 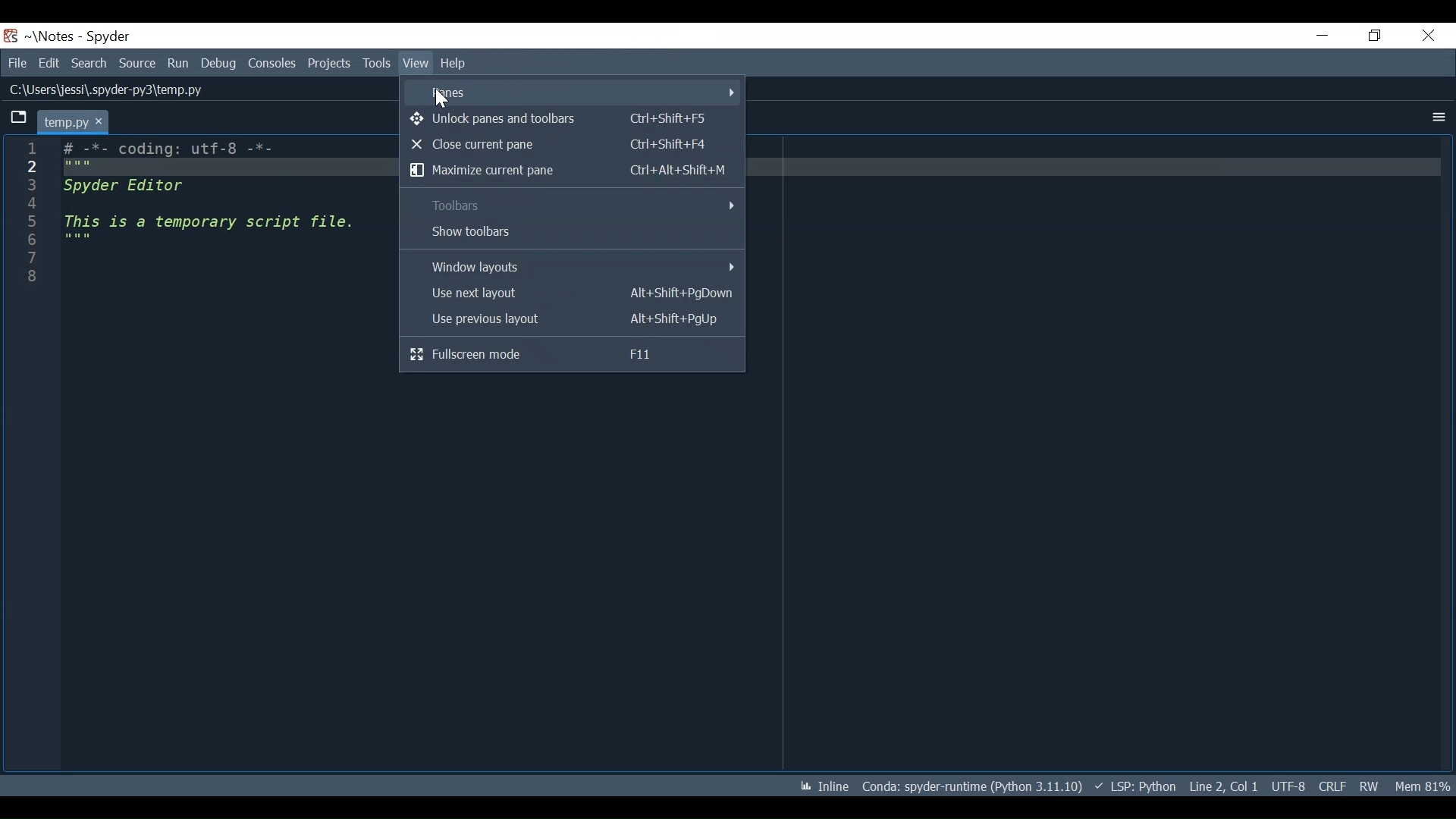 I want to click on File Path, so click(x=103, y=90).